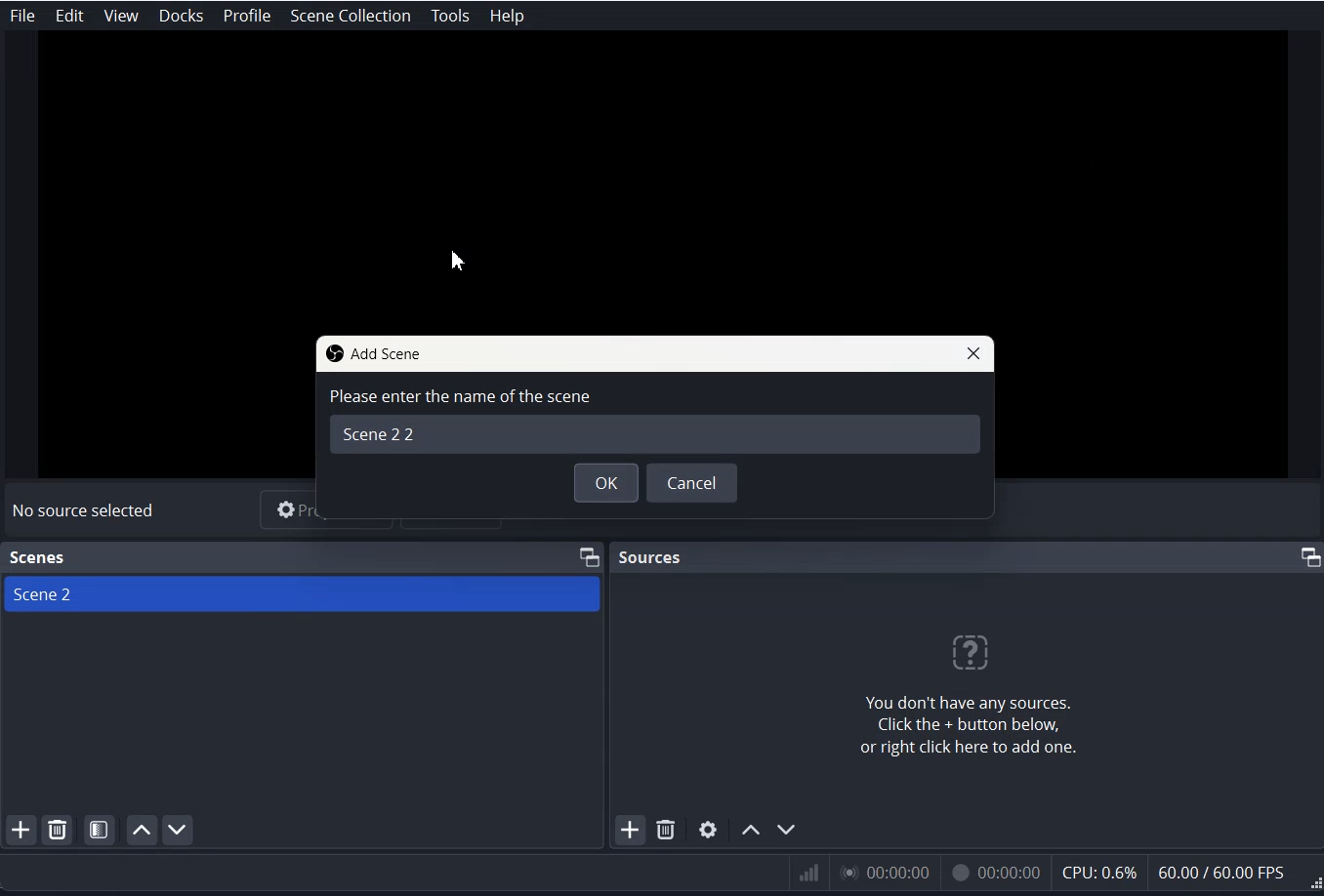 This screenshot has width=1324, height=896. What do you see at coordinates (120, 16) in the screenshot?
I see `View` at bounding box center [120, 16].